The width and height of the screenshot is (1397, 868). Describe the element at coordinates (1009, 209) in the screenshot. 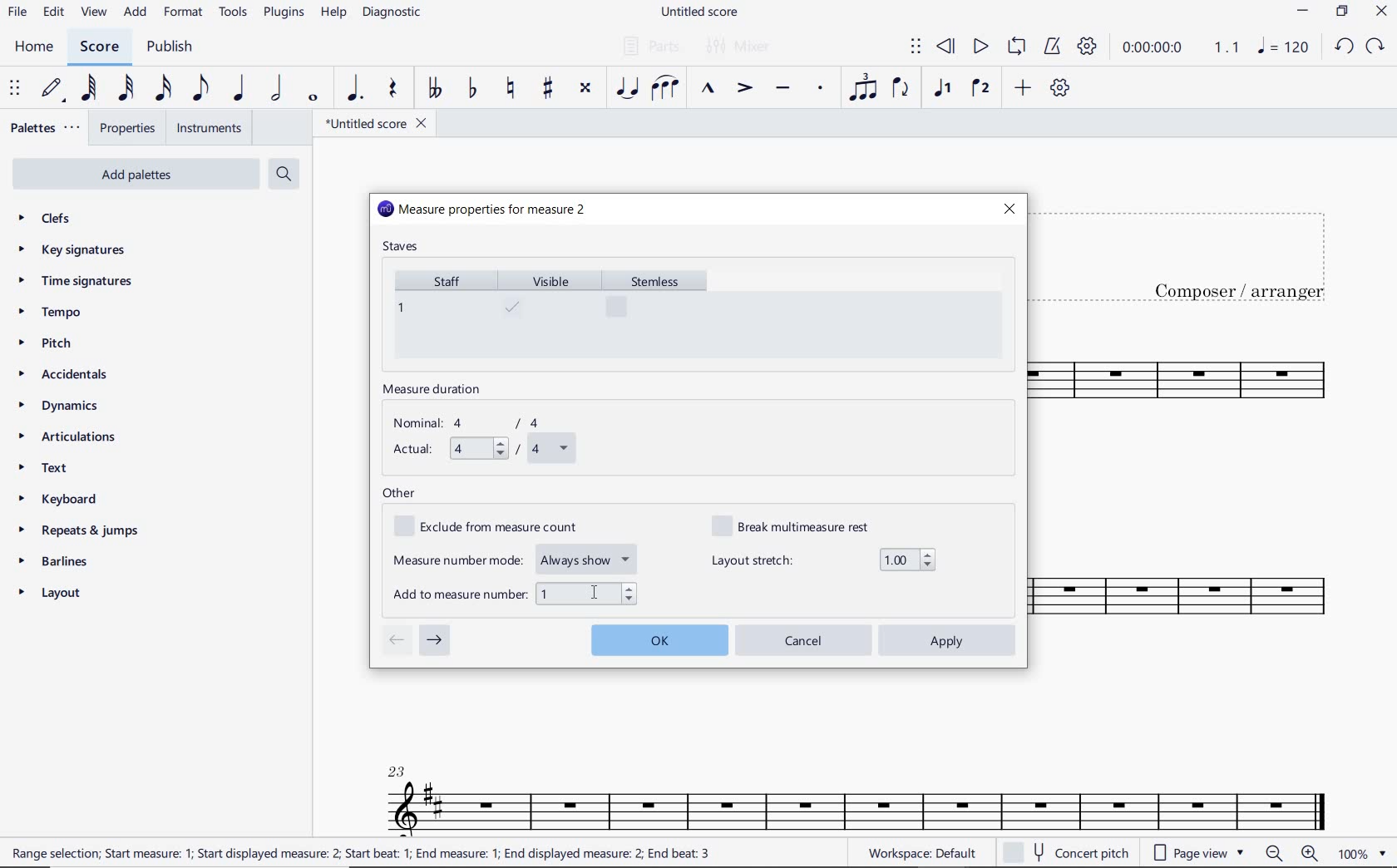

I see `close` at that location.